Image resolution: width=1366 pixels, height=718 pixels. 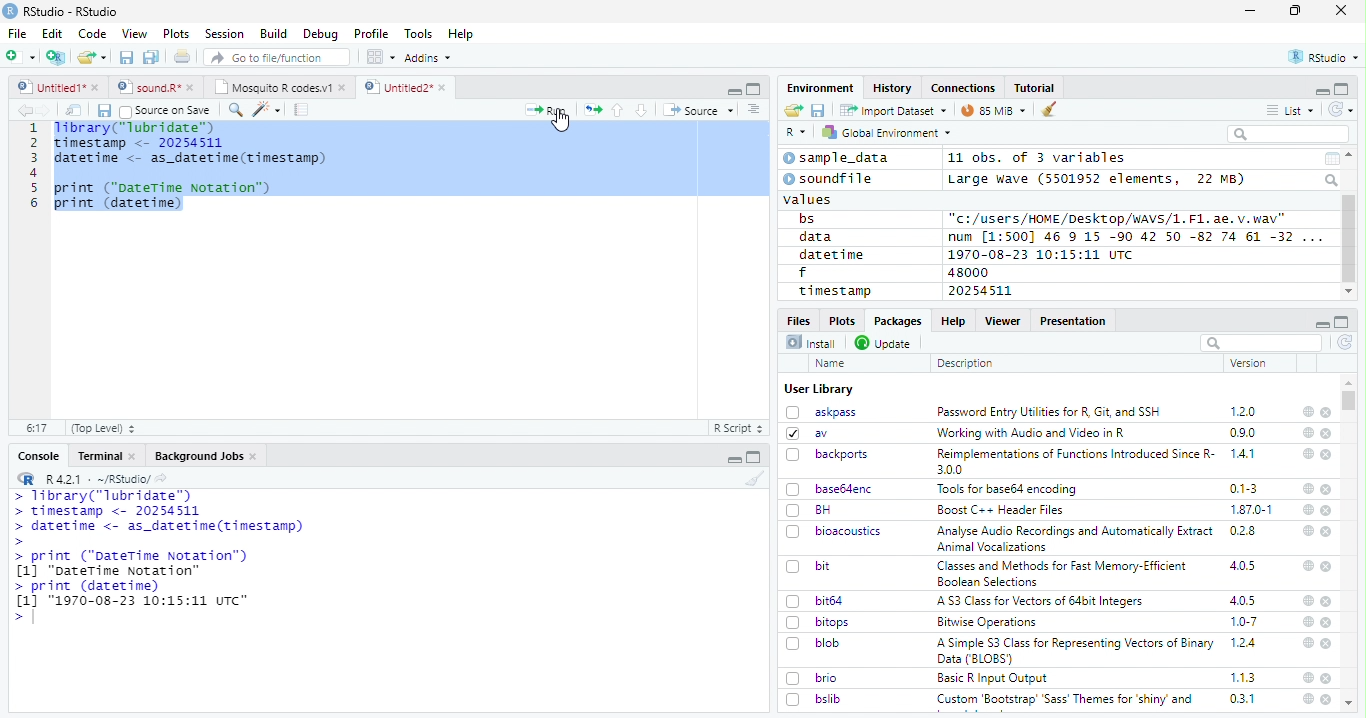 What do you see at coordinates (1307, 600) in the screenshot?
I see `help` at bounding box center [1307, 600].